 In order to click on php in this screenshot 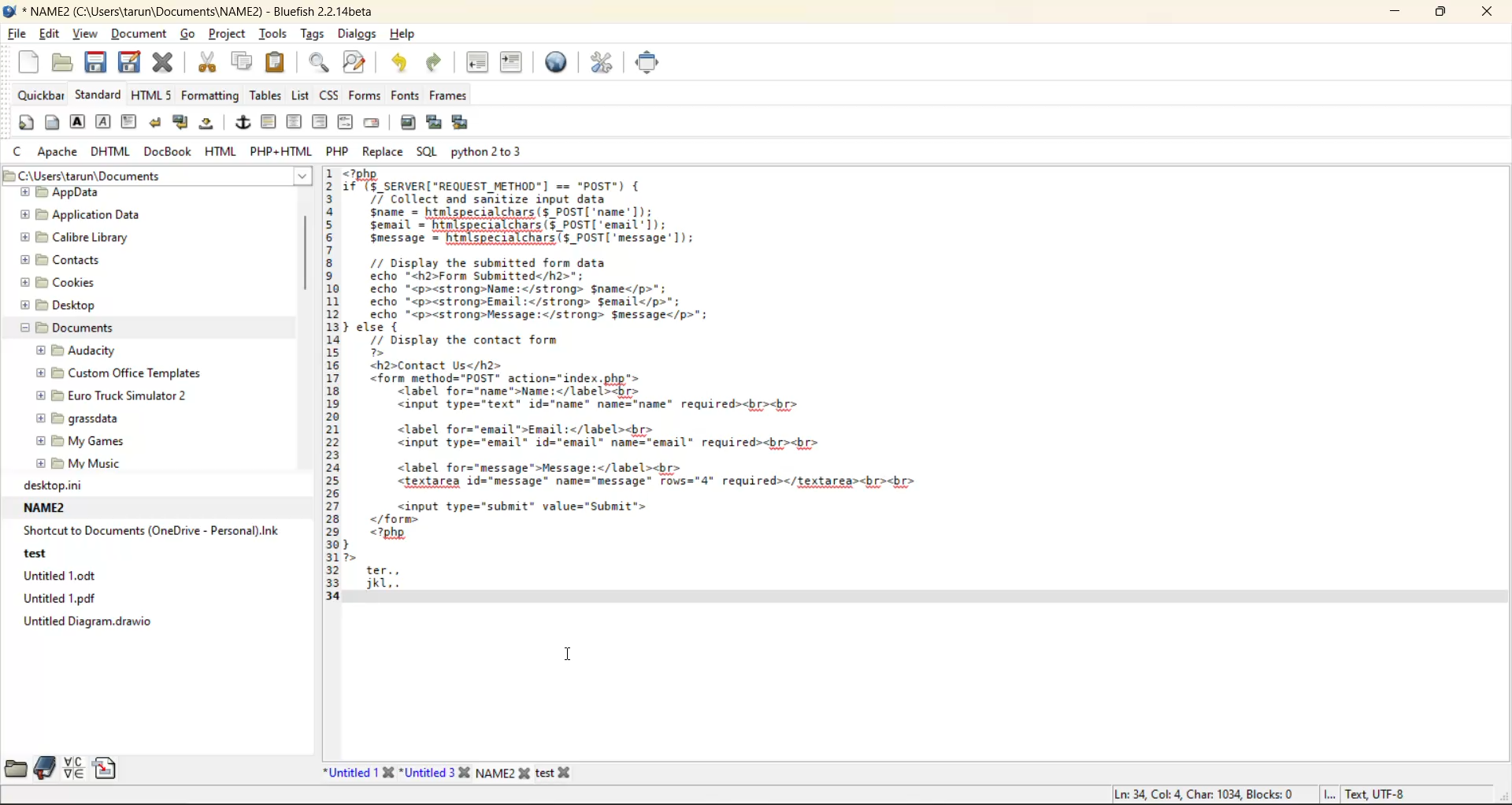, I will do `click(339, 152)`.